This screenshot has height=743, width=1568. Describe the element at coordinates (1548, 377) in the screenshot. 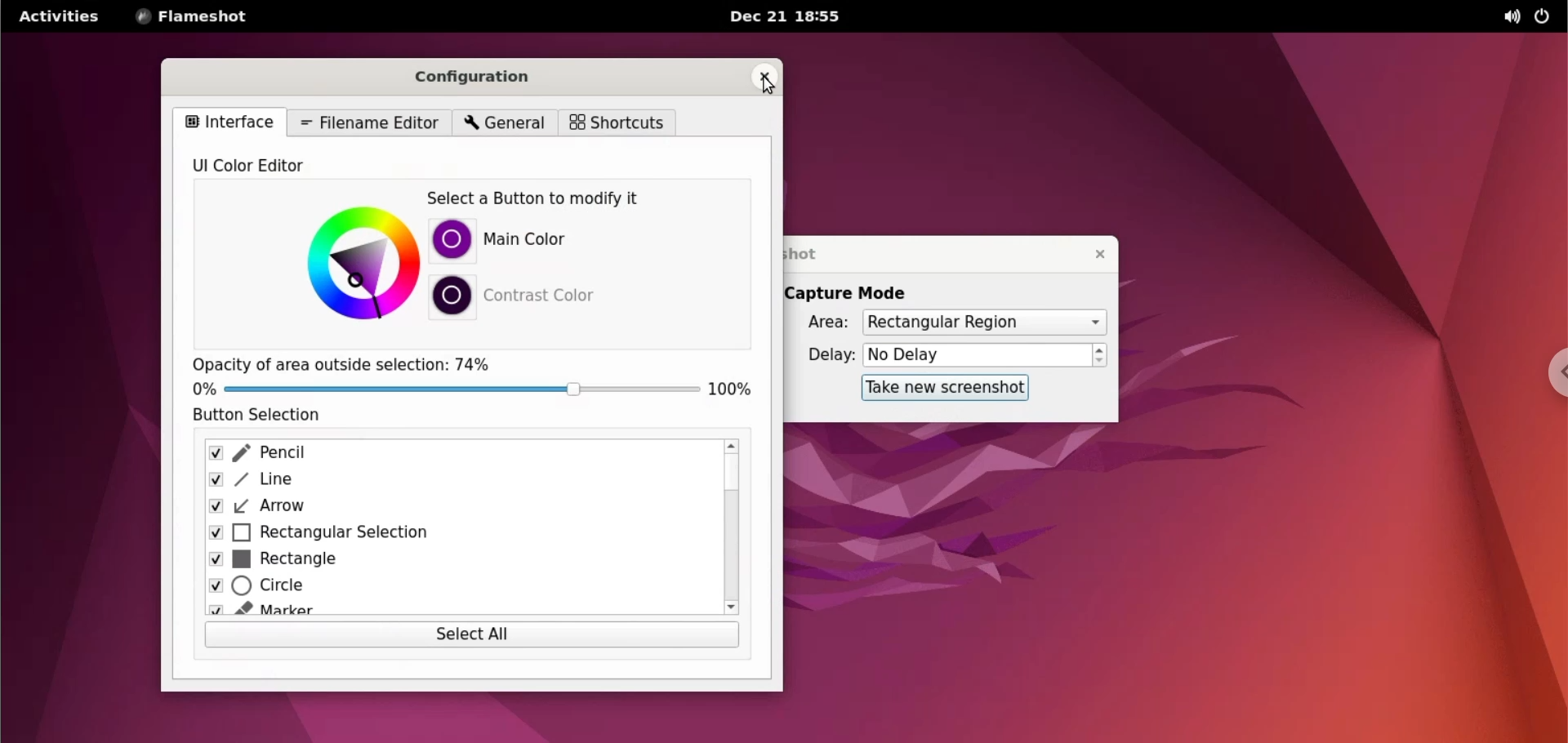

I see `chrome options` at that location.